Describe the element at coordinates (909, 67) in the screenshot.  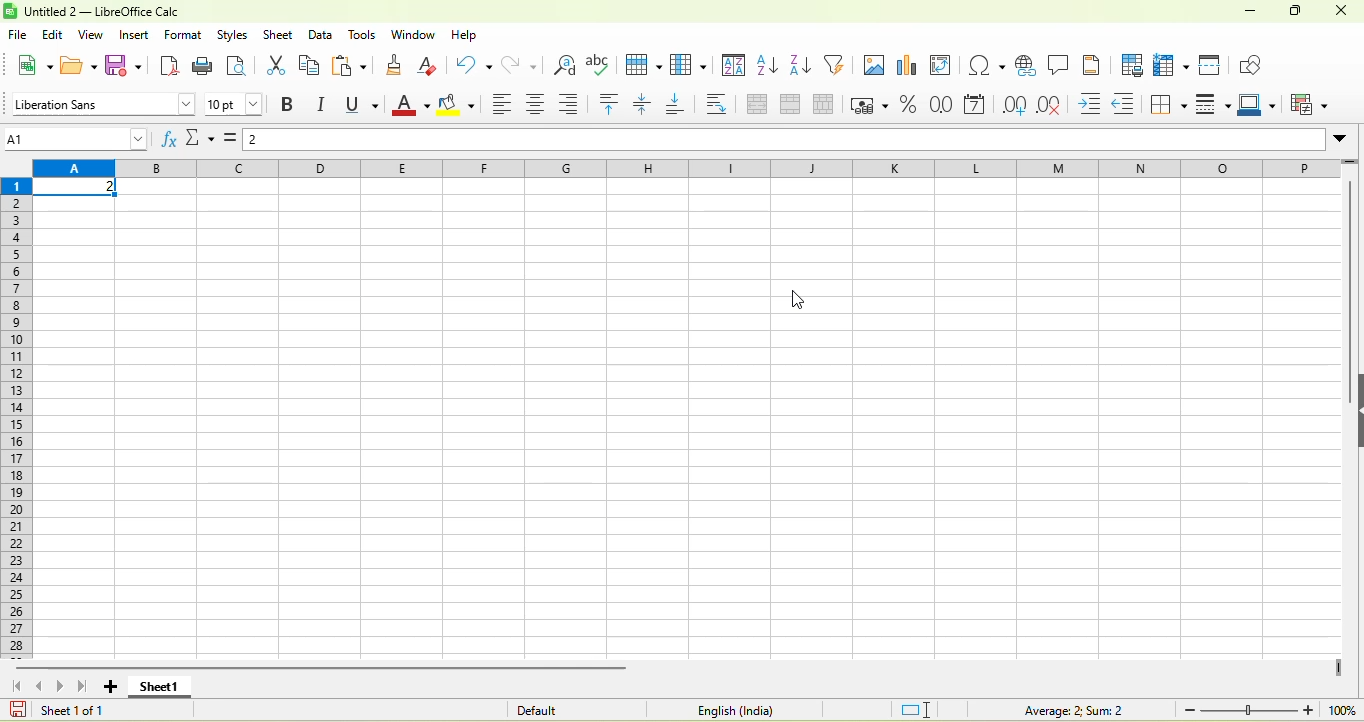
I see `chart` at that location.